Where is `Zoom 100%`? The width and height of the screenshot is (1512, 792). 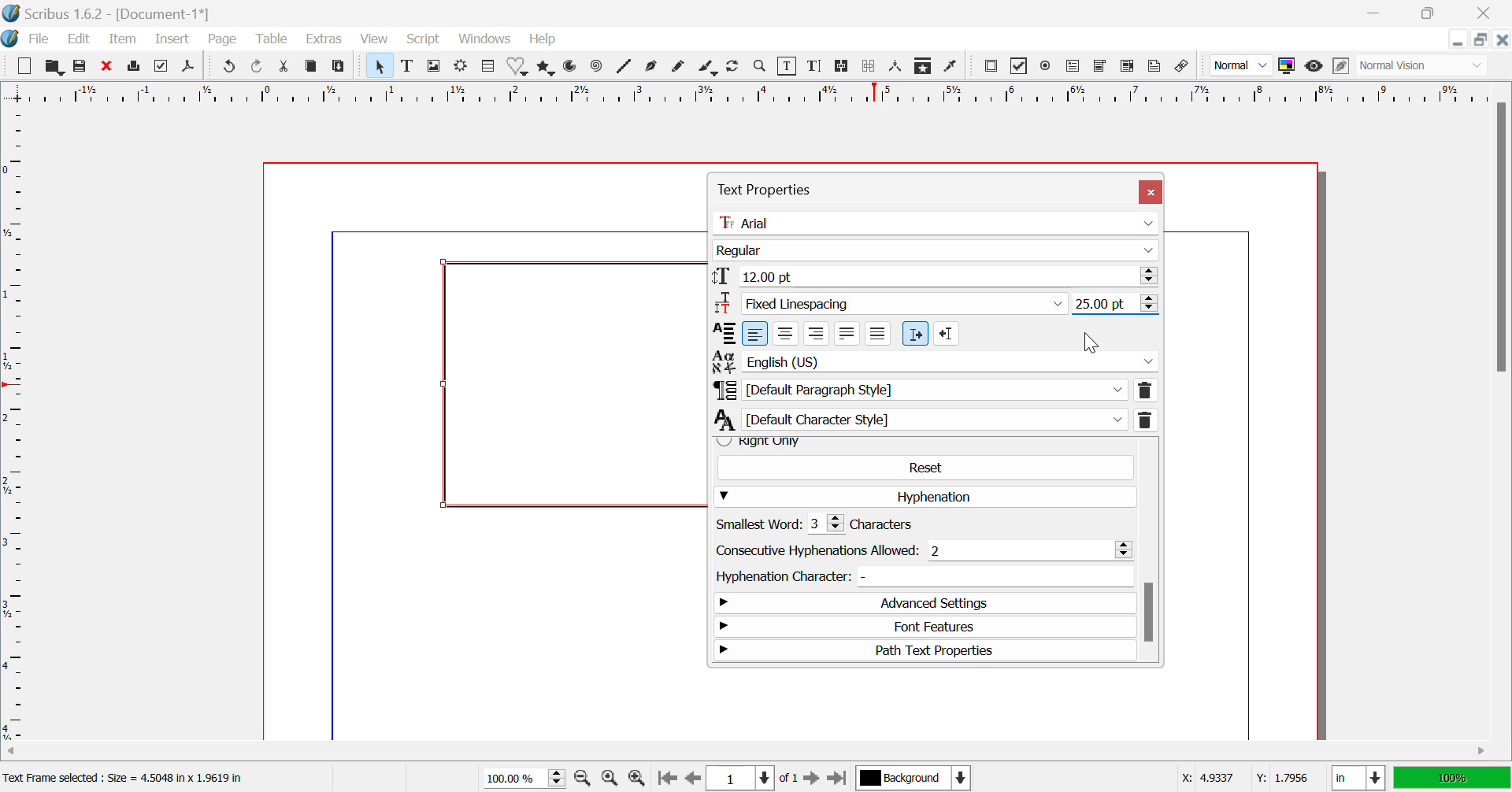 Zoom 100% is located at coordinates (526, 777).